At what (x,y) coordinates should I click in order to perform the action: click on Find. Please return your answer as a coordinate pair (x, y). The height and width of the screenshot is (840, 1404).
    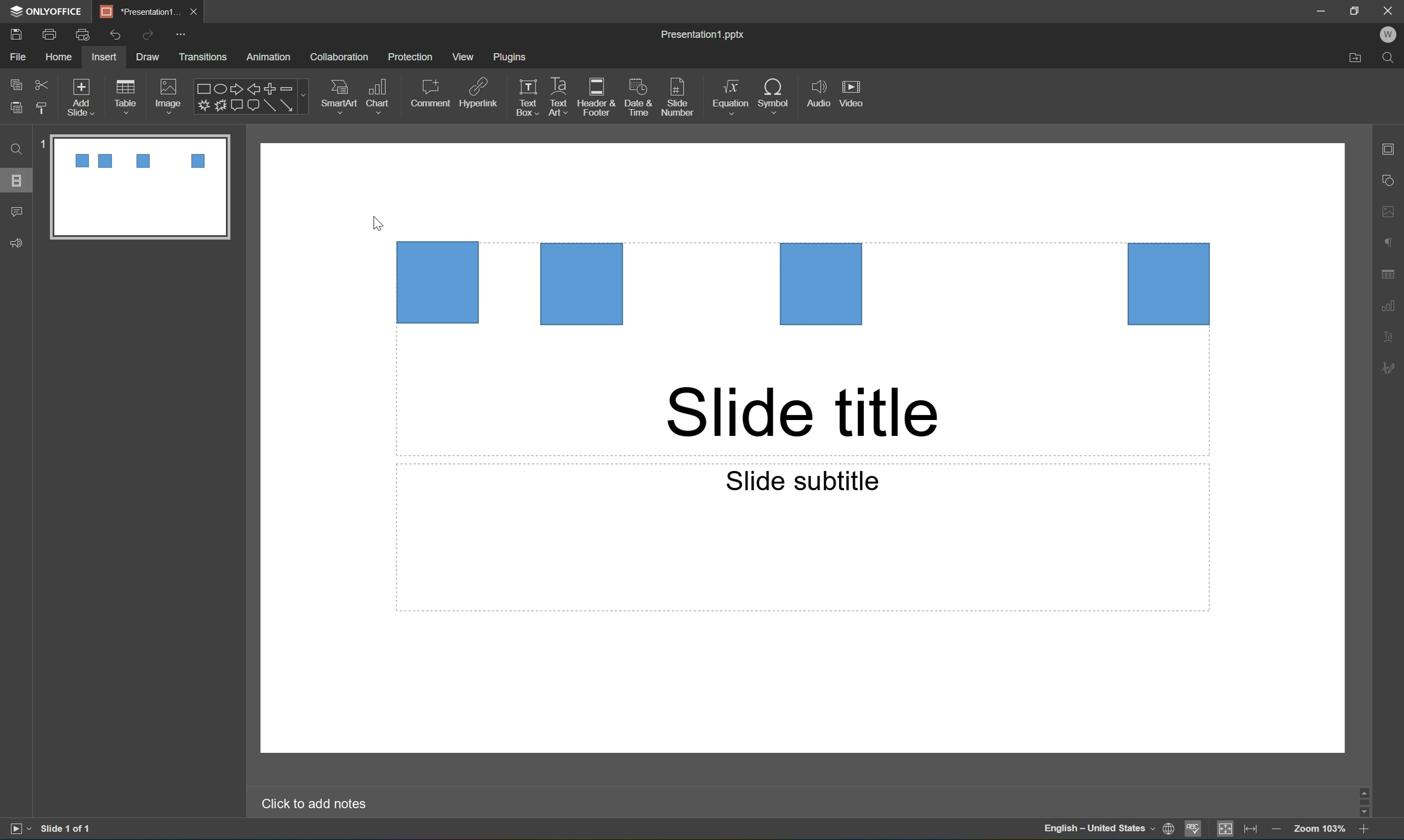
    Looking at the image, I should click on (1392, 57).